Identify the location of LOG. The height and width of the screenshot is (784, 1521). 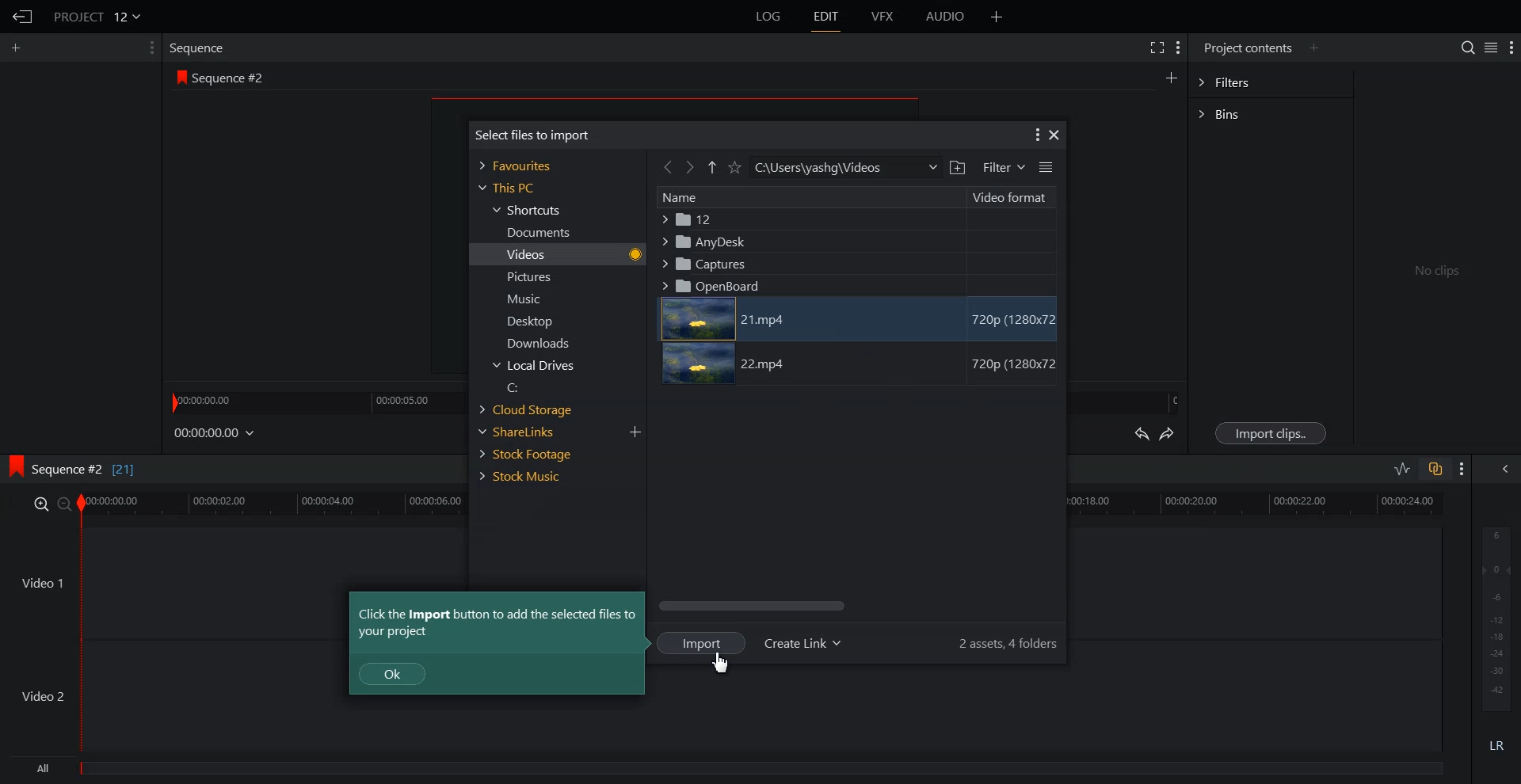
(769, 17).